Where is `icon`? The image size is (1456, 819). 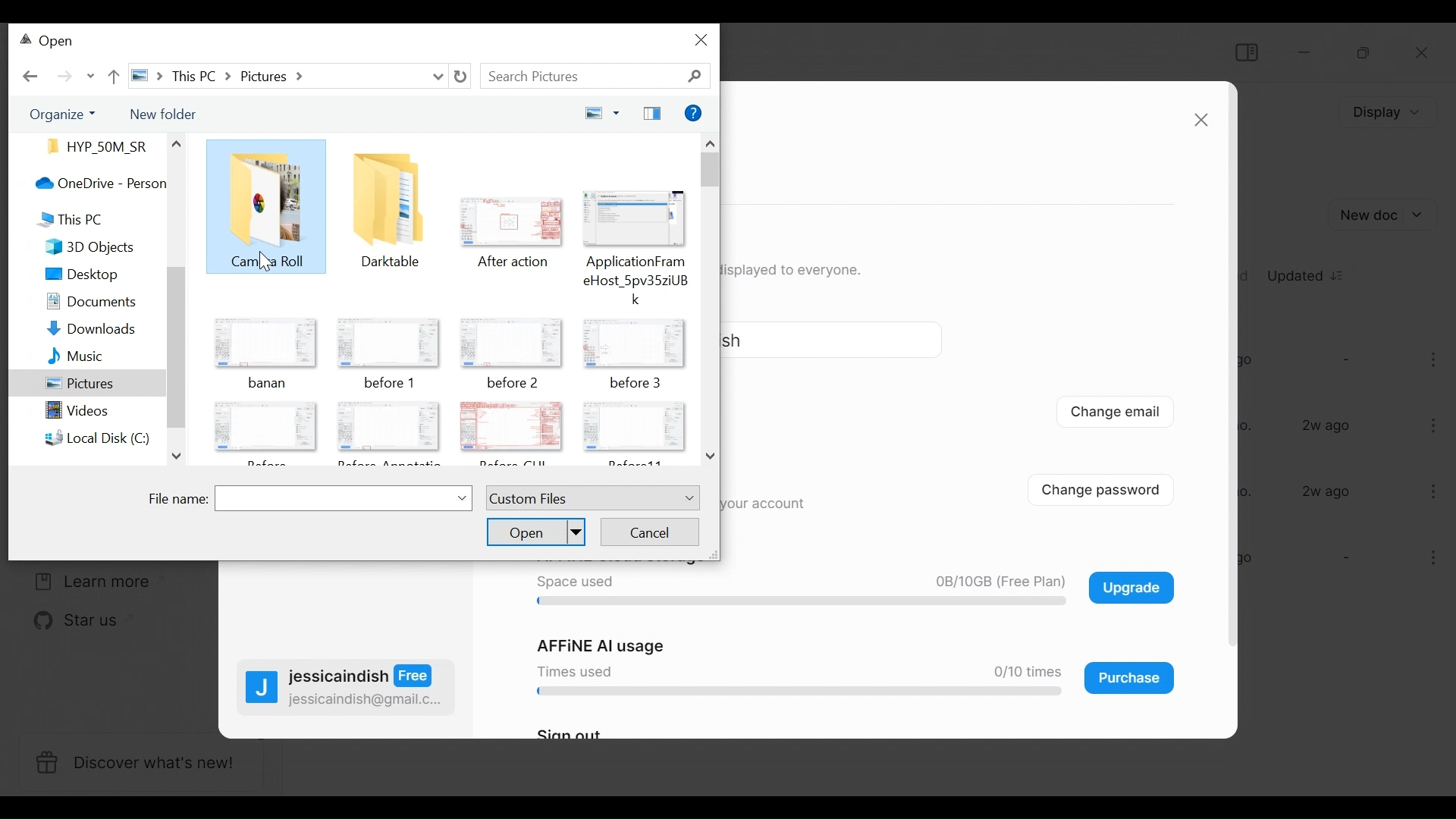 icon is located at coordinates (512, 425).